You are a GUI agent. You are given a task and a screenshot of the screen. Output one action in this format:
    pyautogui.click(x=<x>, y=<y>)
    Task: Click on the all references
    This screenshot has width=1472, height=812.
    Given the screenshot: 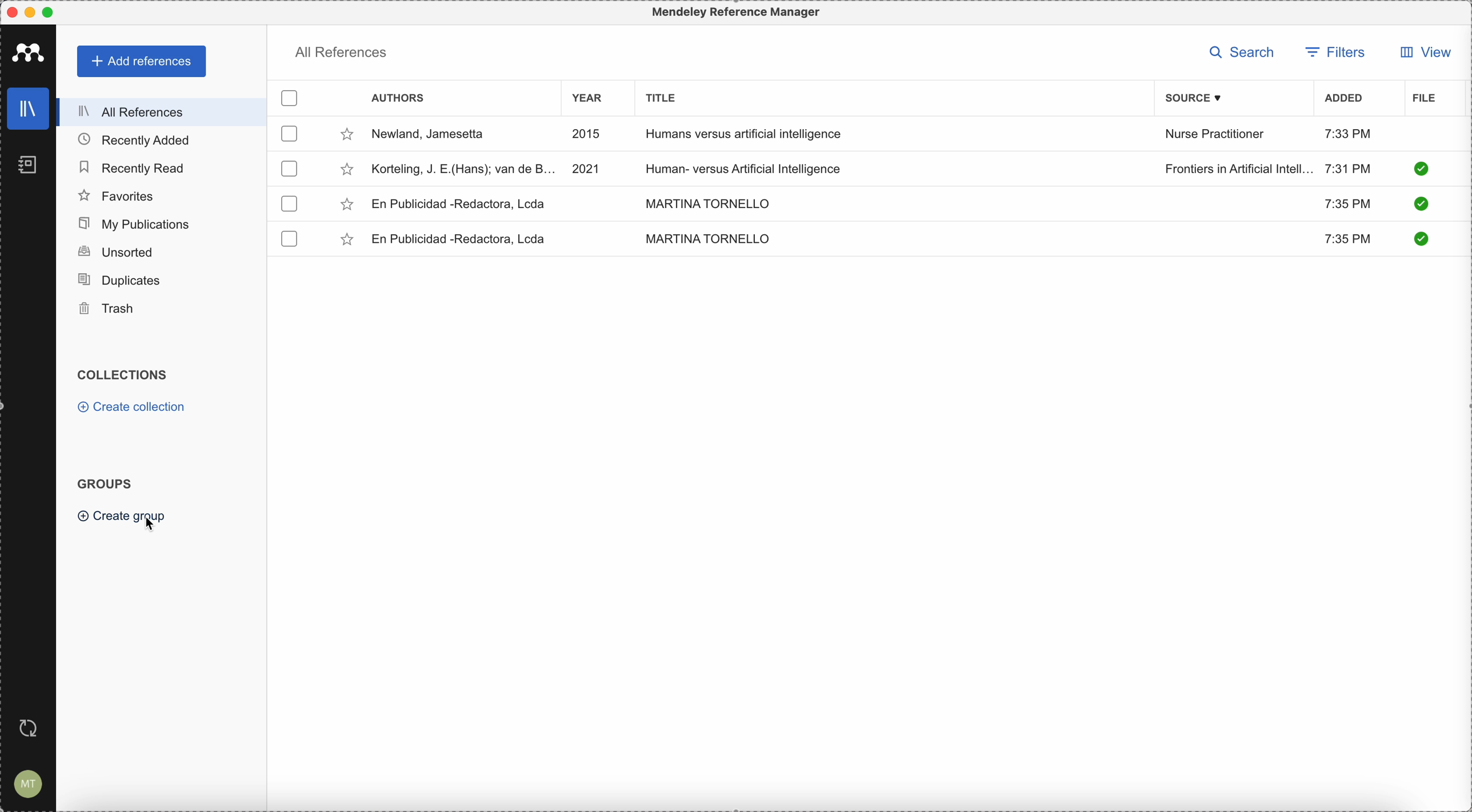 What is the action you would take?
    pyautogui.click(x=341, y=55)
    